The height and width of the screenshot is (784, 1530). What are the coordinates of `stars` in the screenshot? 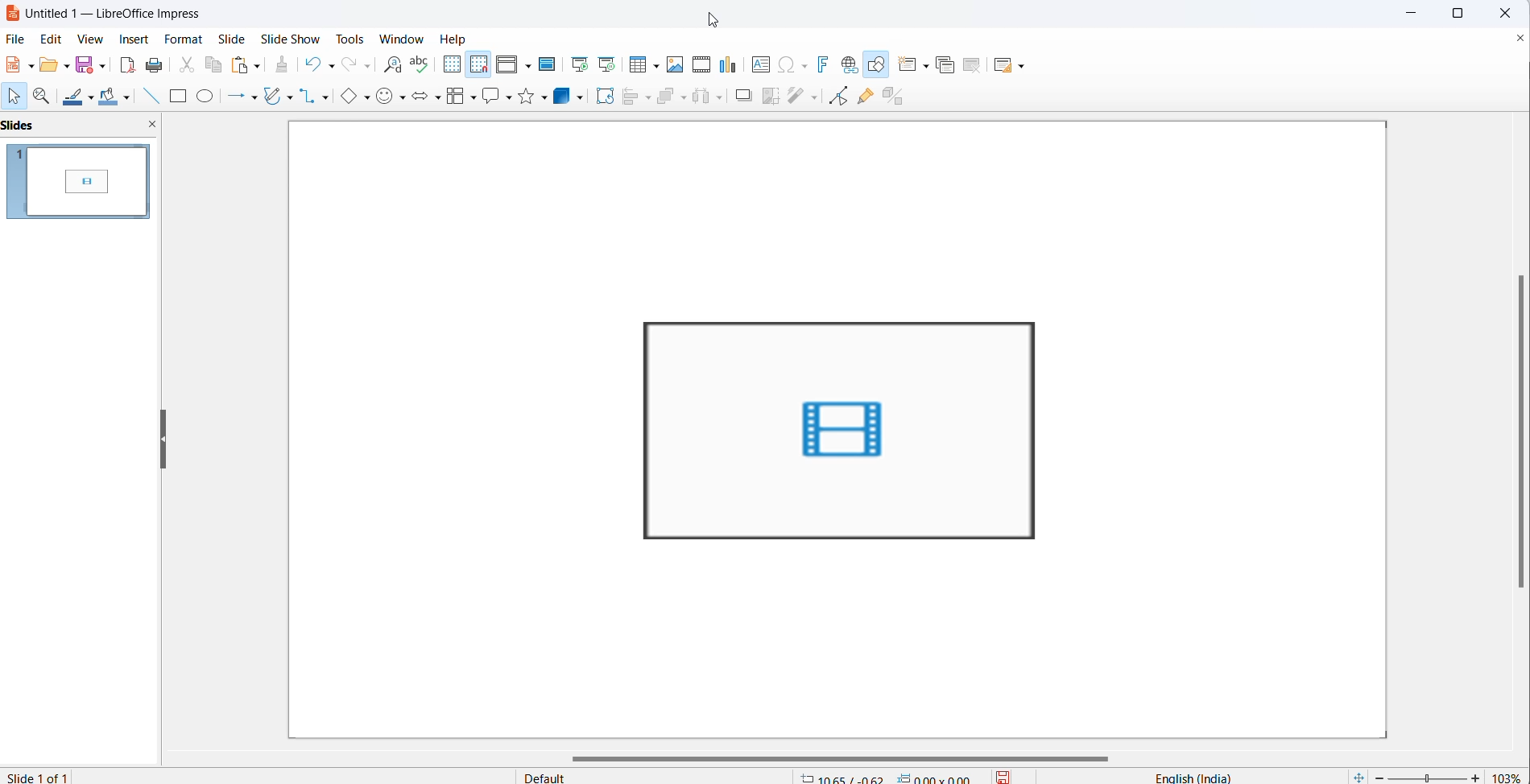 It's located at (526, 97).